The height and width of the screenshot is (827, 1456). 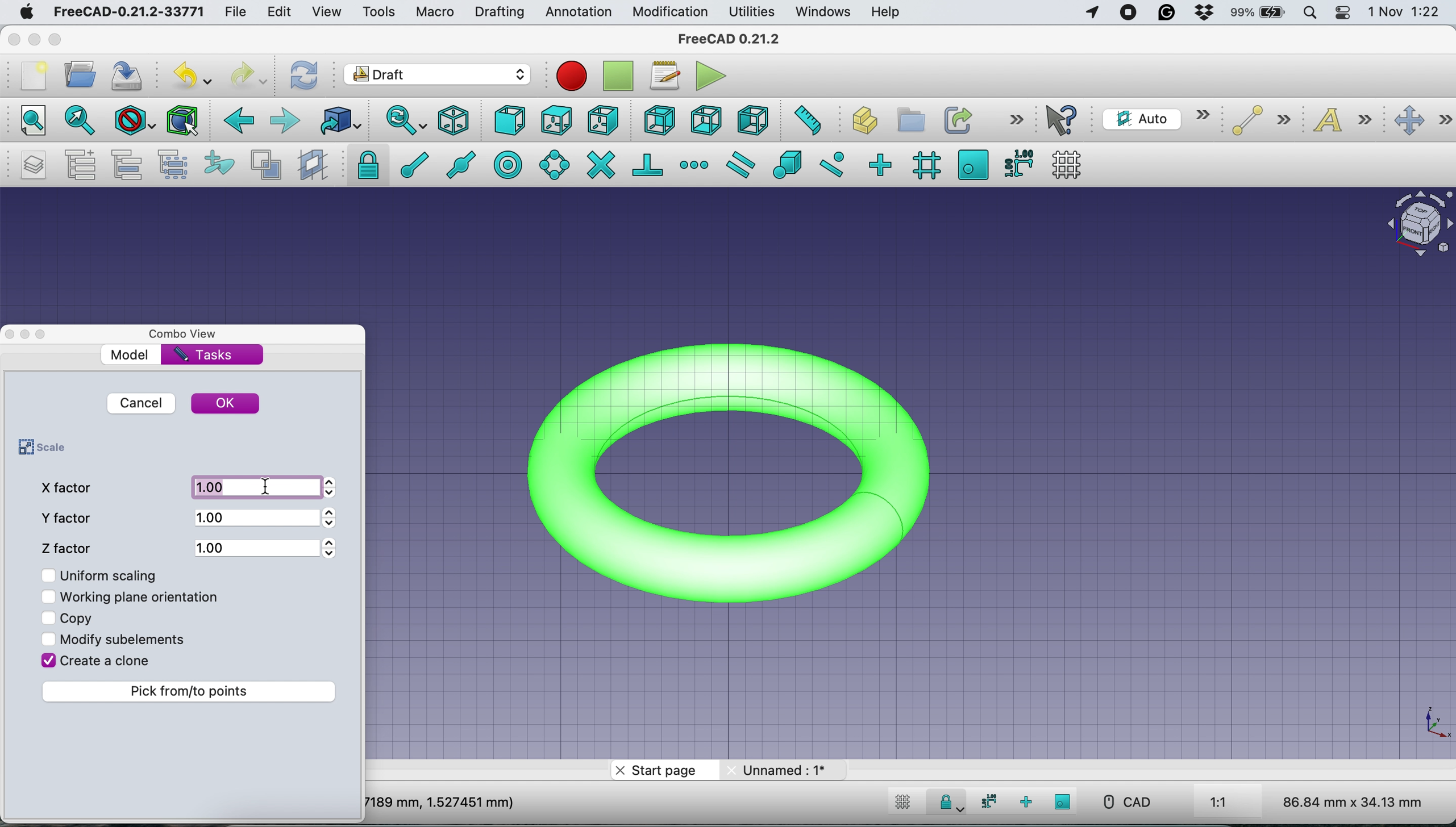 I want to click on Toggle Floating Window, so click(x=27, y=335).